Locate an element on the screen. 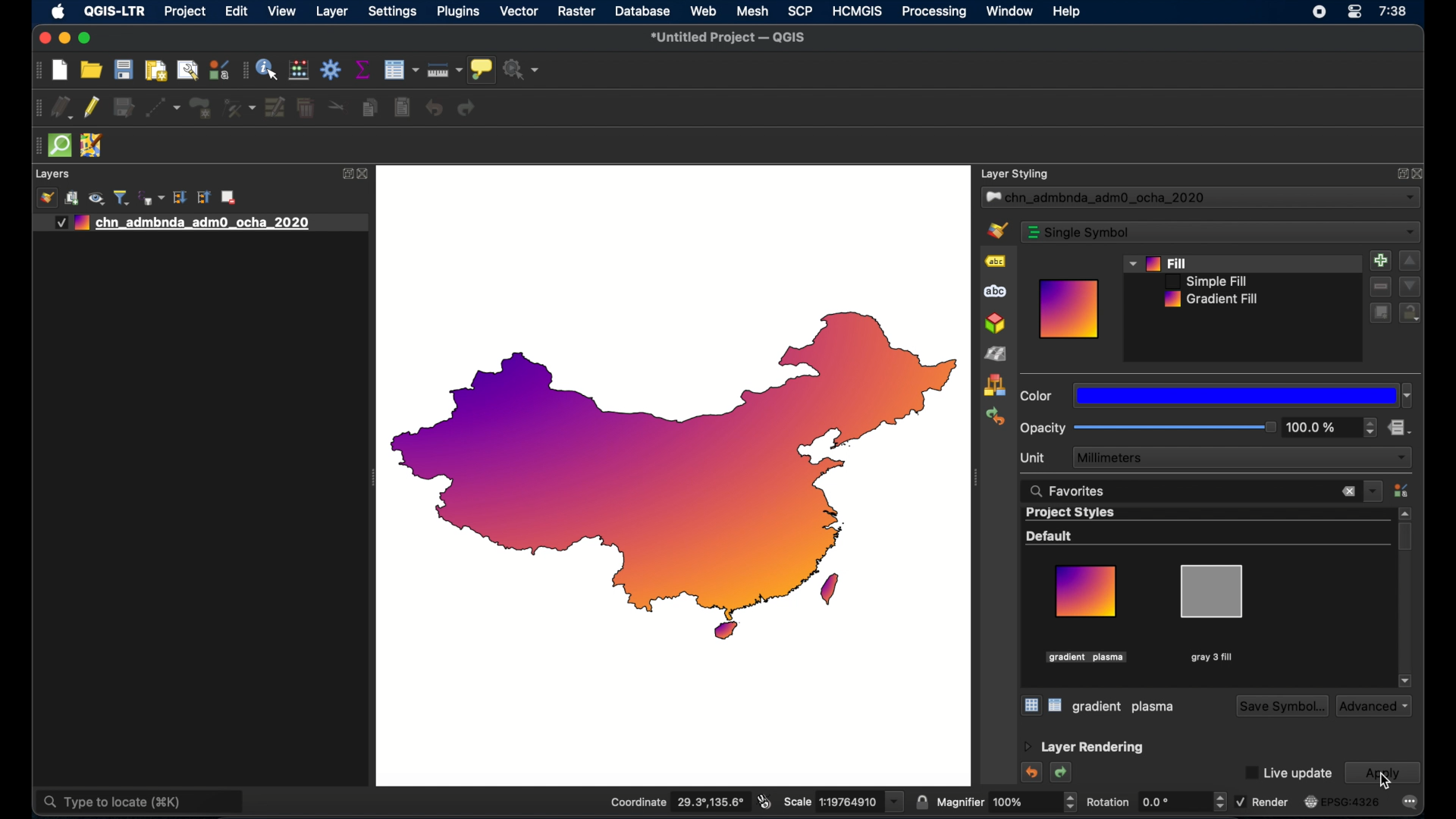 This screenshot has width=1456, height=819. measure line is located at coordinates (444, 70).